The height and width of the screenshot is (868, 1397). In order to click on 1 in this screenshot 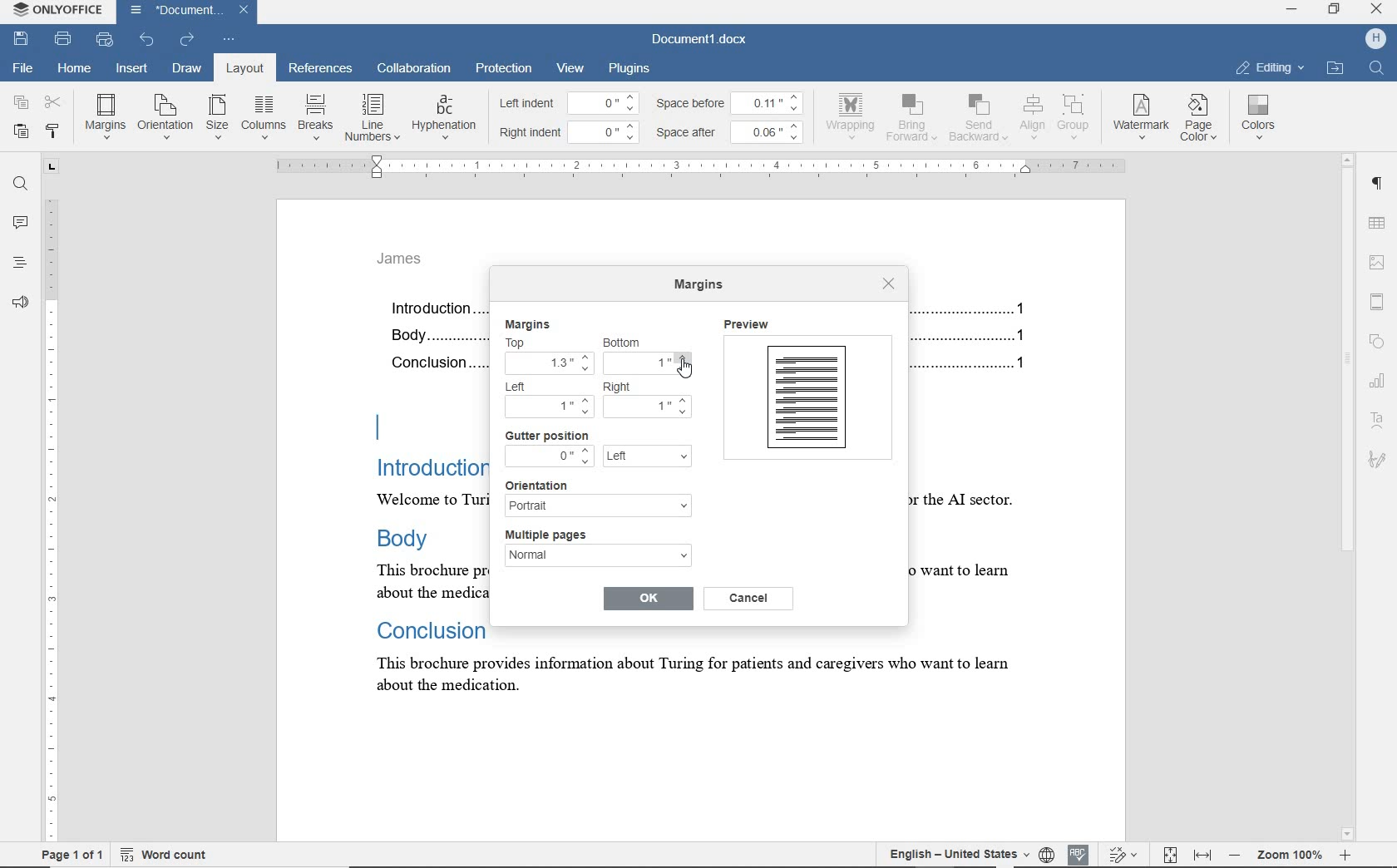, I will do `click(550, 407)`.